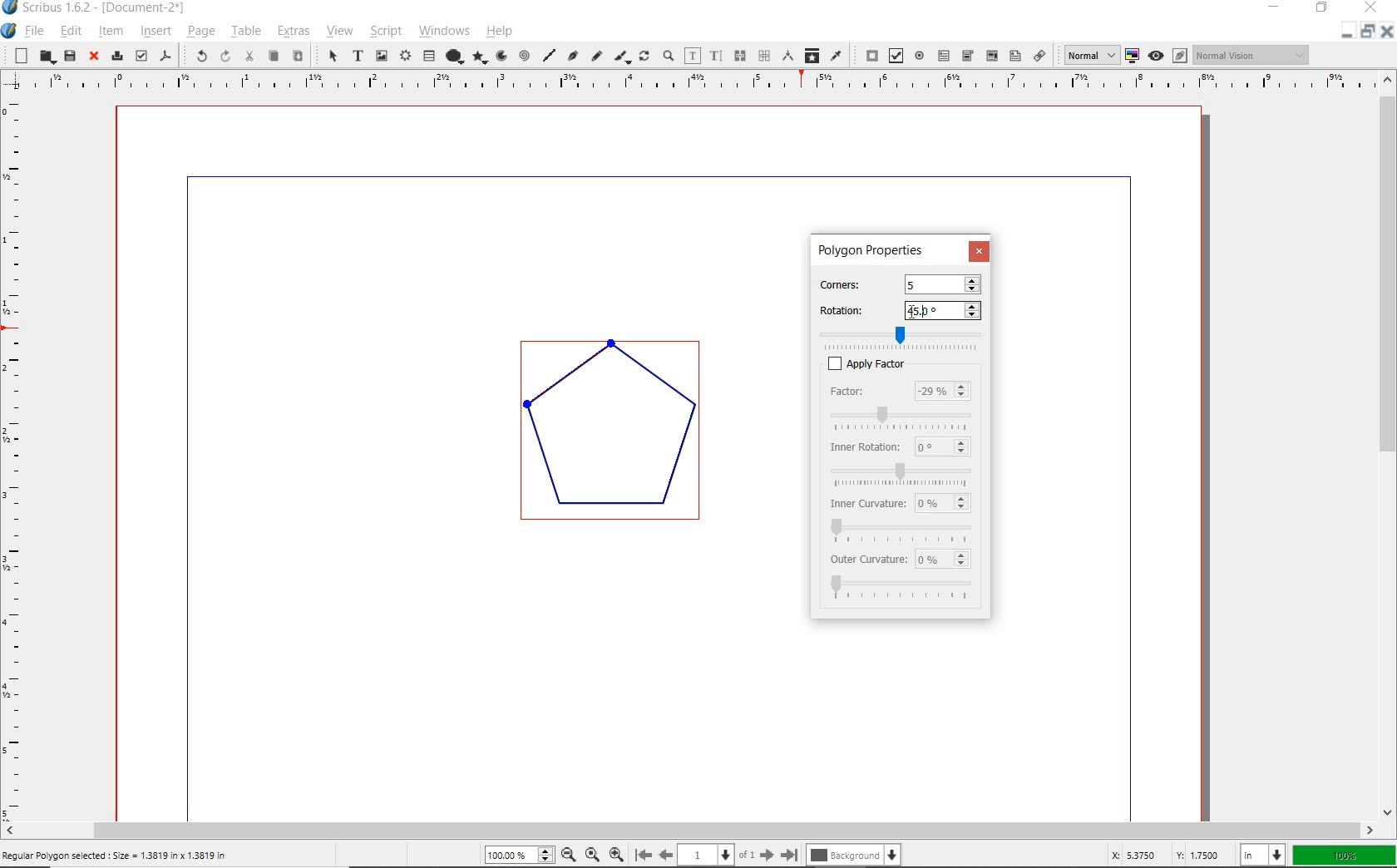 The height and width of the screenshot is (868, 1397). What do you see at coordinates (1198, 852) in the screenshot?
I see `v 1.8558` at bounding box center [1198, 852].